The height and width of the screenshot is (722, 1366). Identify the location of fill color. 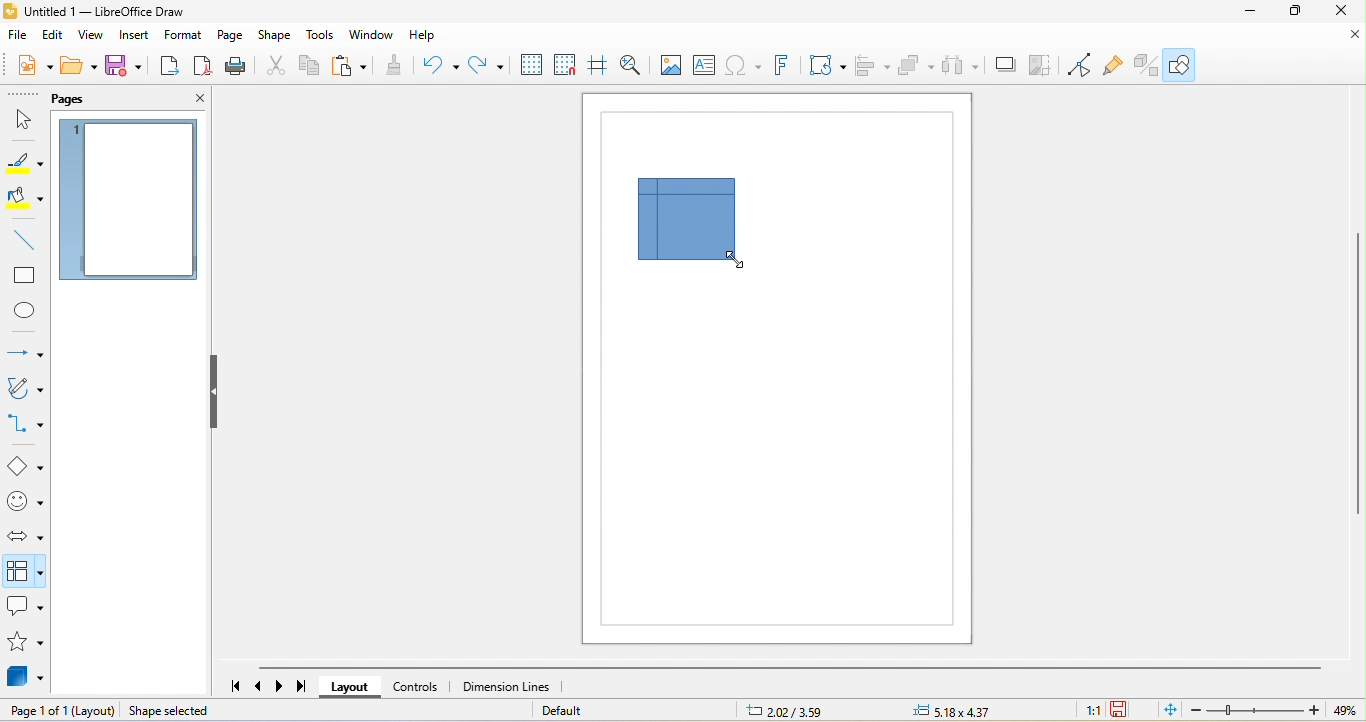
(23, 198).